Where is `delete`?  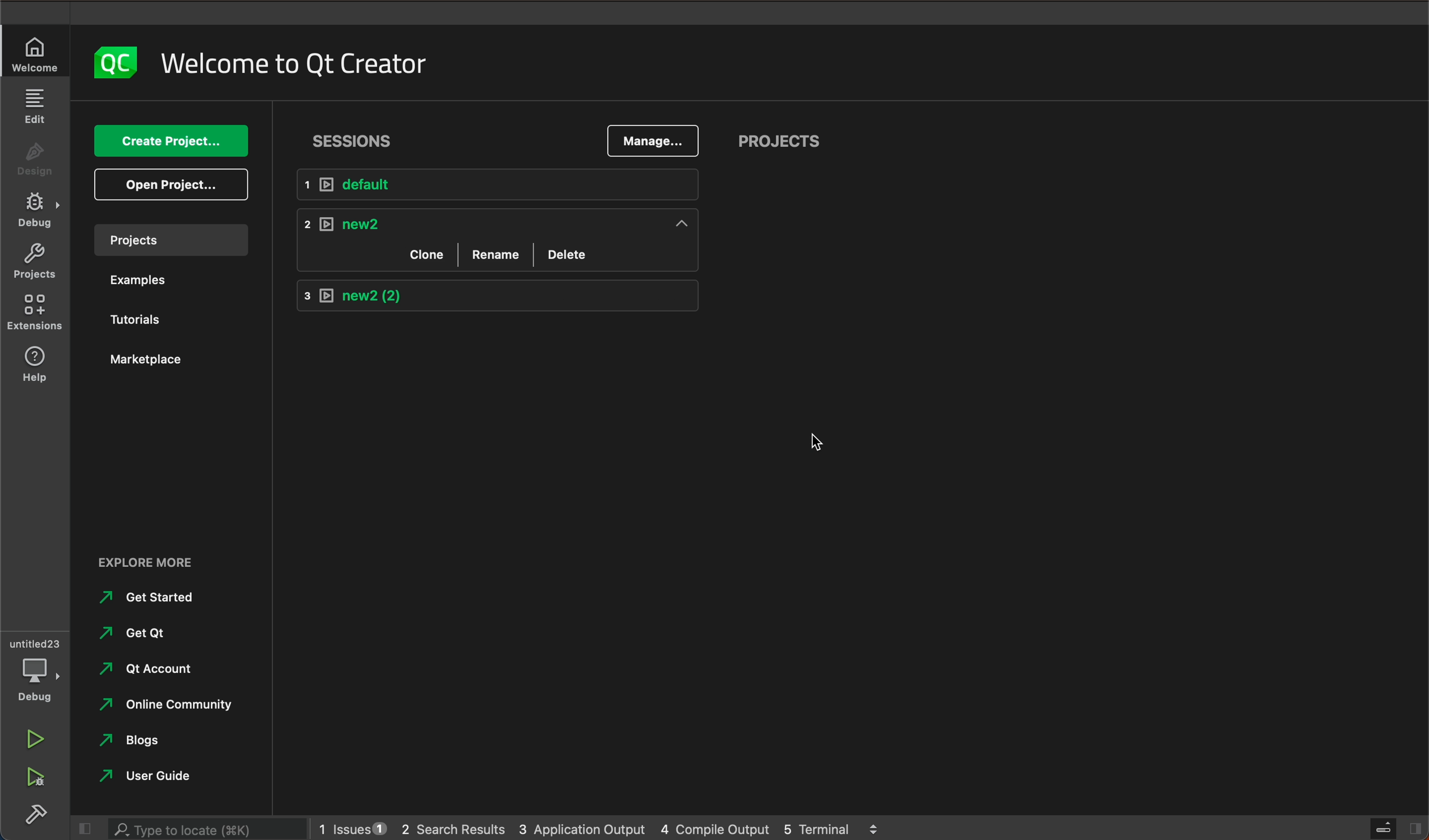 delete is located at coordinates (570, 255).